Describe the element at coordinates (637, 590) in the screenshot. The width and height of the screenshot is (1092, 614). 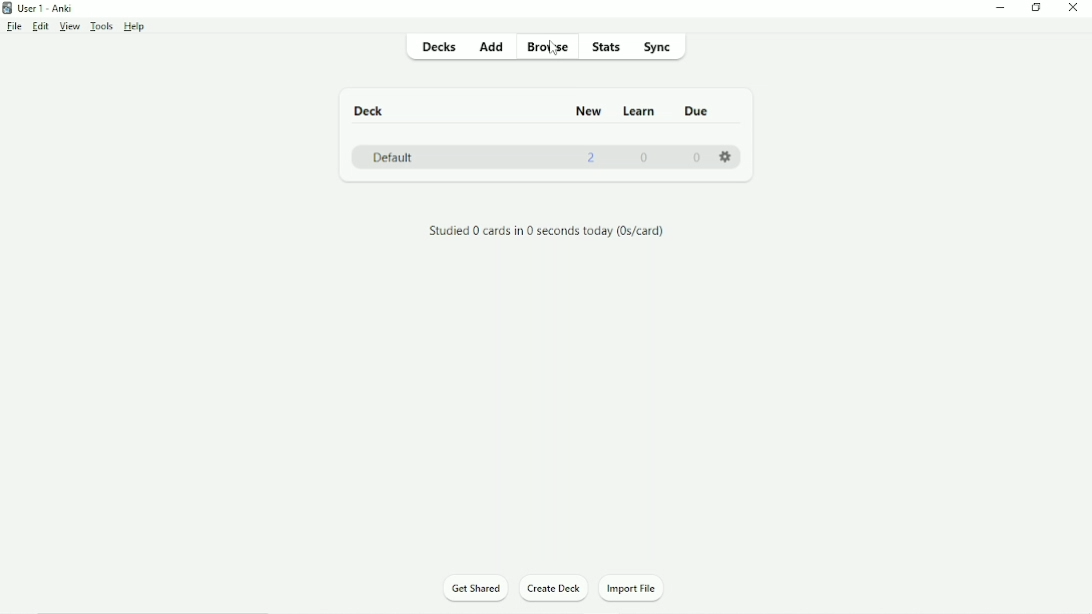
I see `Import File` at that location.